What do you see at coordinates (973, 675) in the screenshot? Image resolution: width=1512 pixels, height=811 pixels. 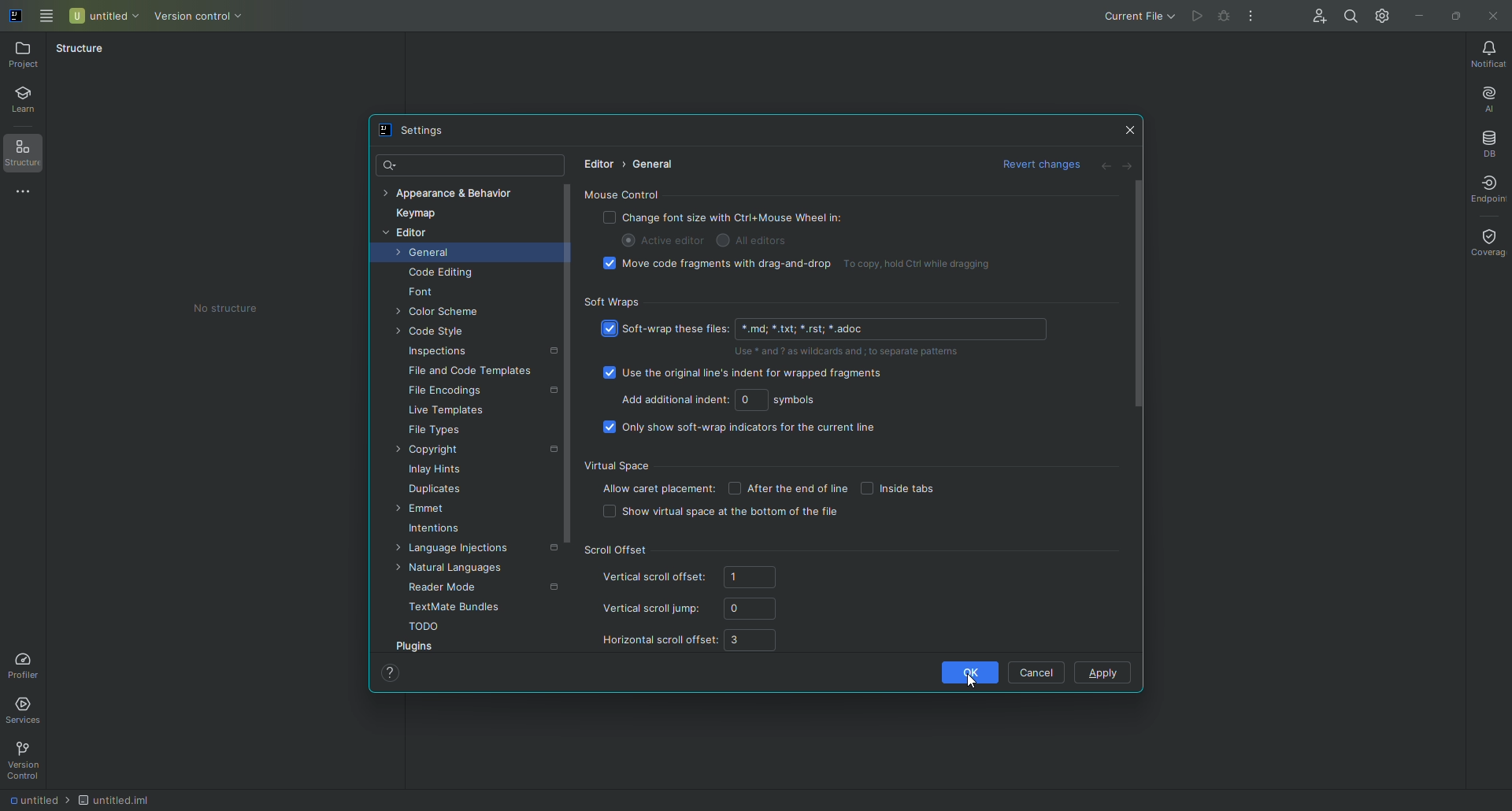 I see `OK` at bounding box center [973, 675].